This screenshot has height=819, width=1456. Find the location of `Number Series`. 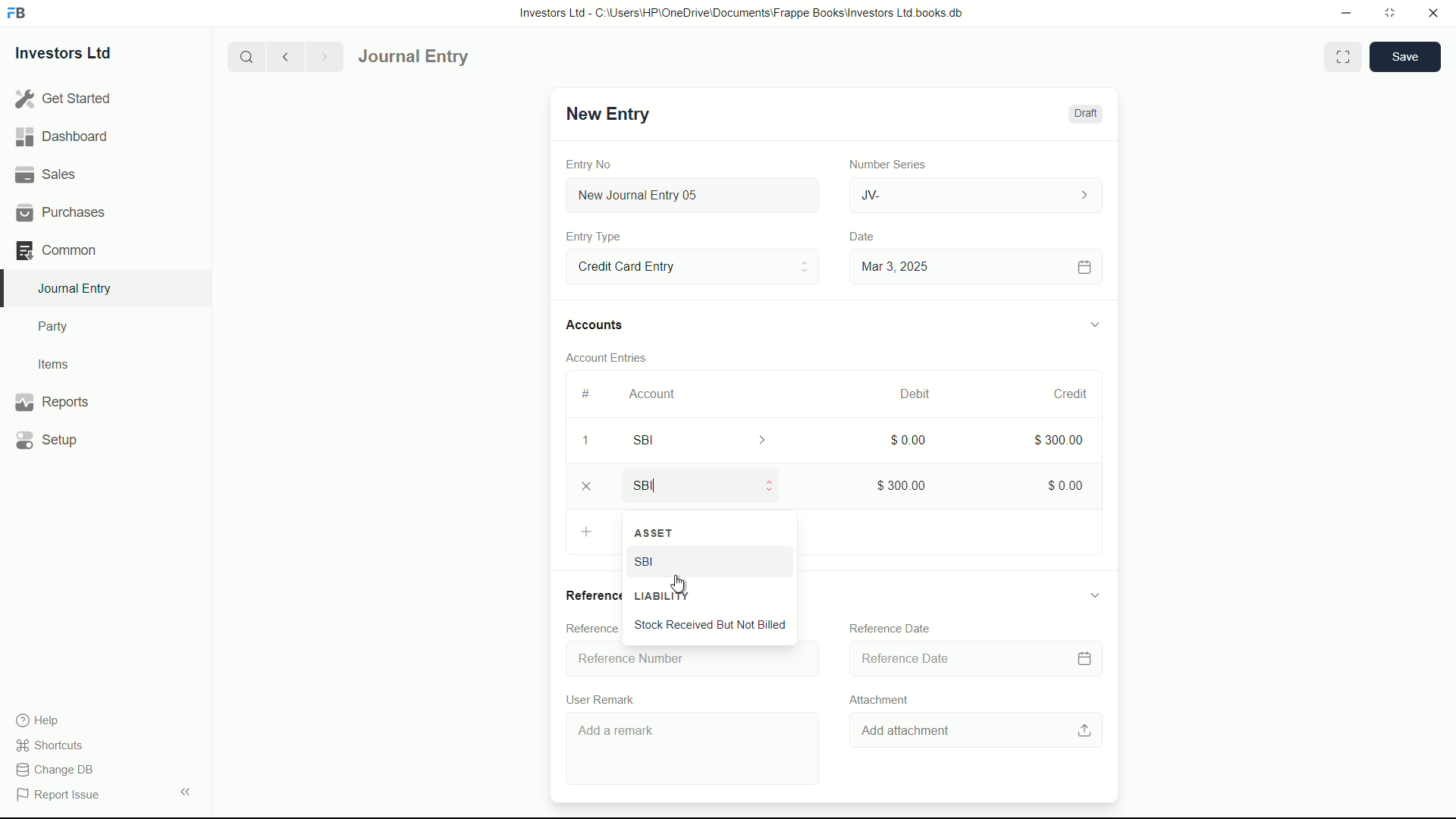

Number Series is located at coordinates (881, 163).